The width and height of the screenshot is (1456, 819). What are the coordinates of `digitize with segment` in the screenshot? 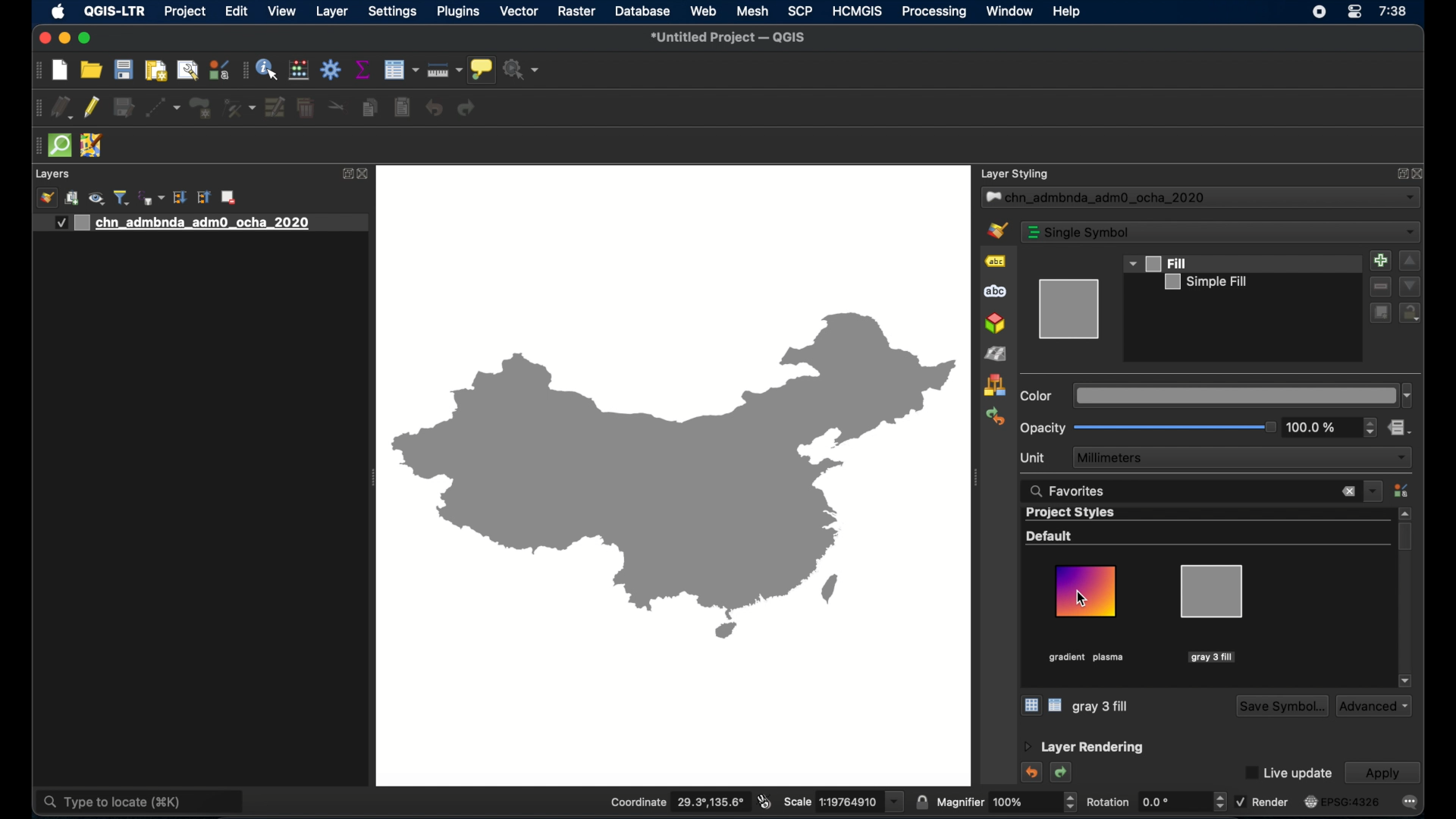 It's located at (162, 108).